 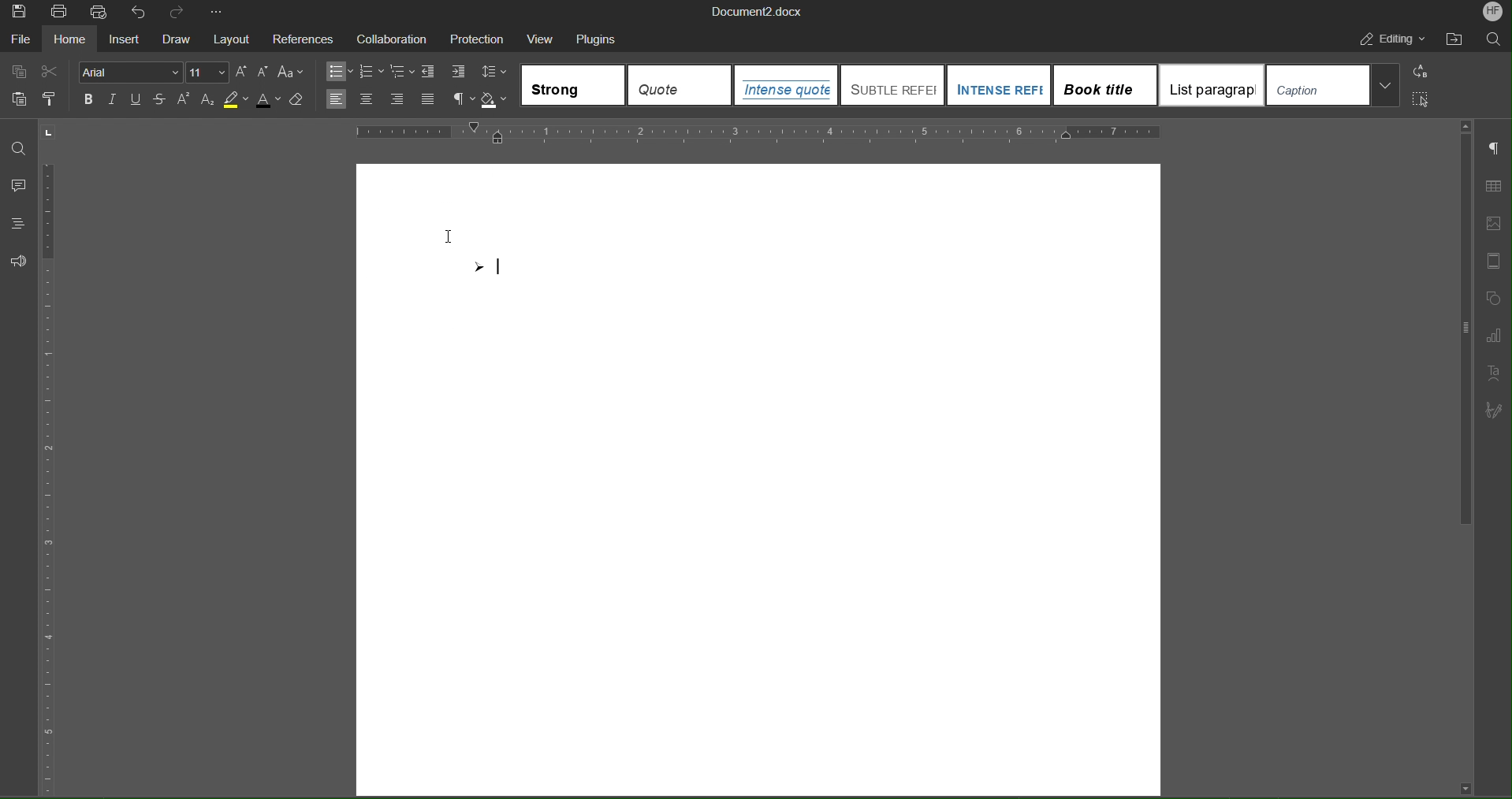 What do you see at coordinates (19, 185) in the screenshot?
I see `Comments` at bounding box center [19, 185].